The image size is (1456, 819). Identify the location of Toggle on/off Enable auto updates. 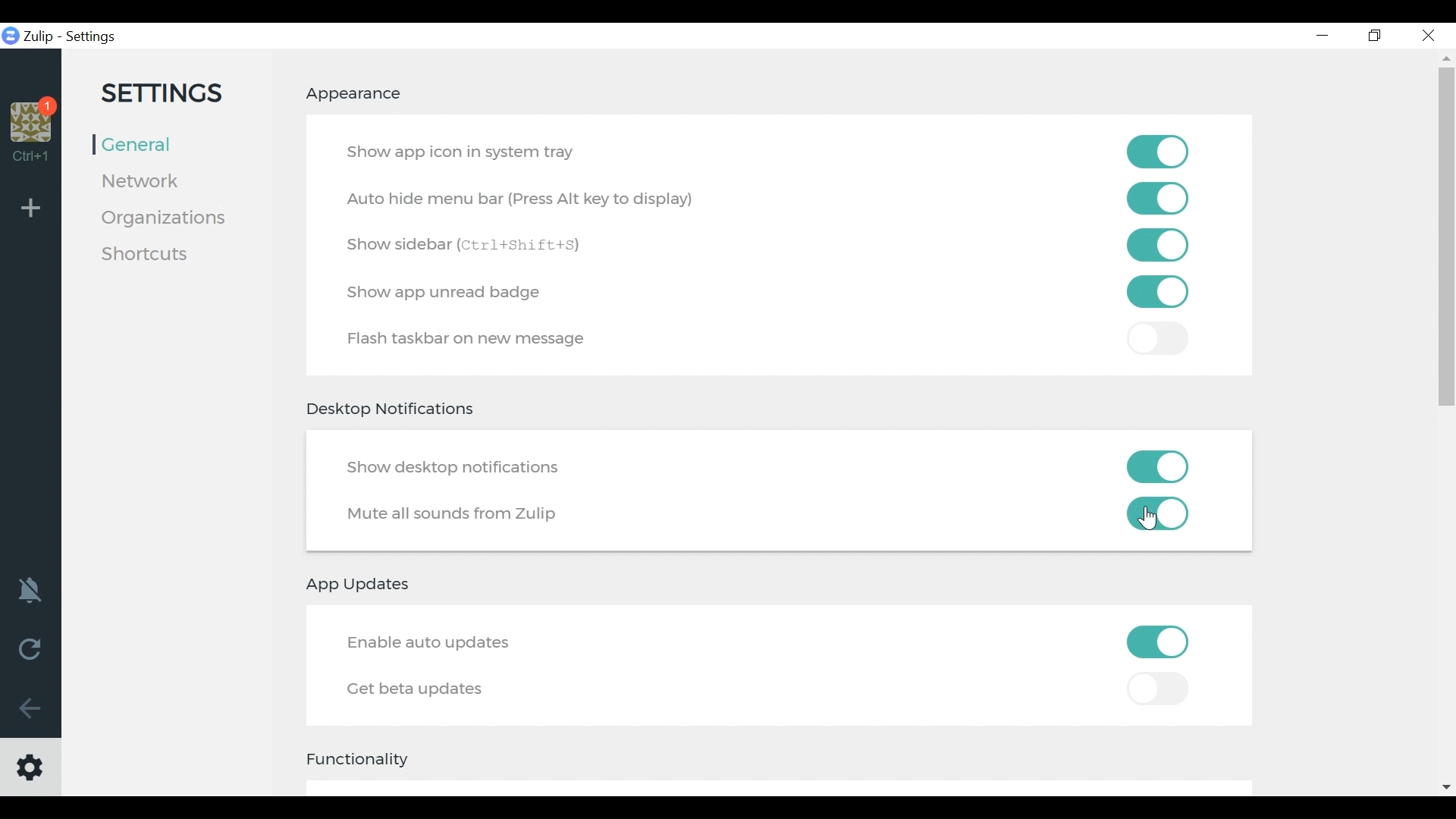
(1157, 642).